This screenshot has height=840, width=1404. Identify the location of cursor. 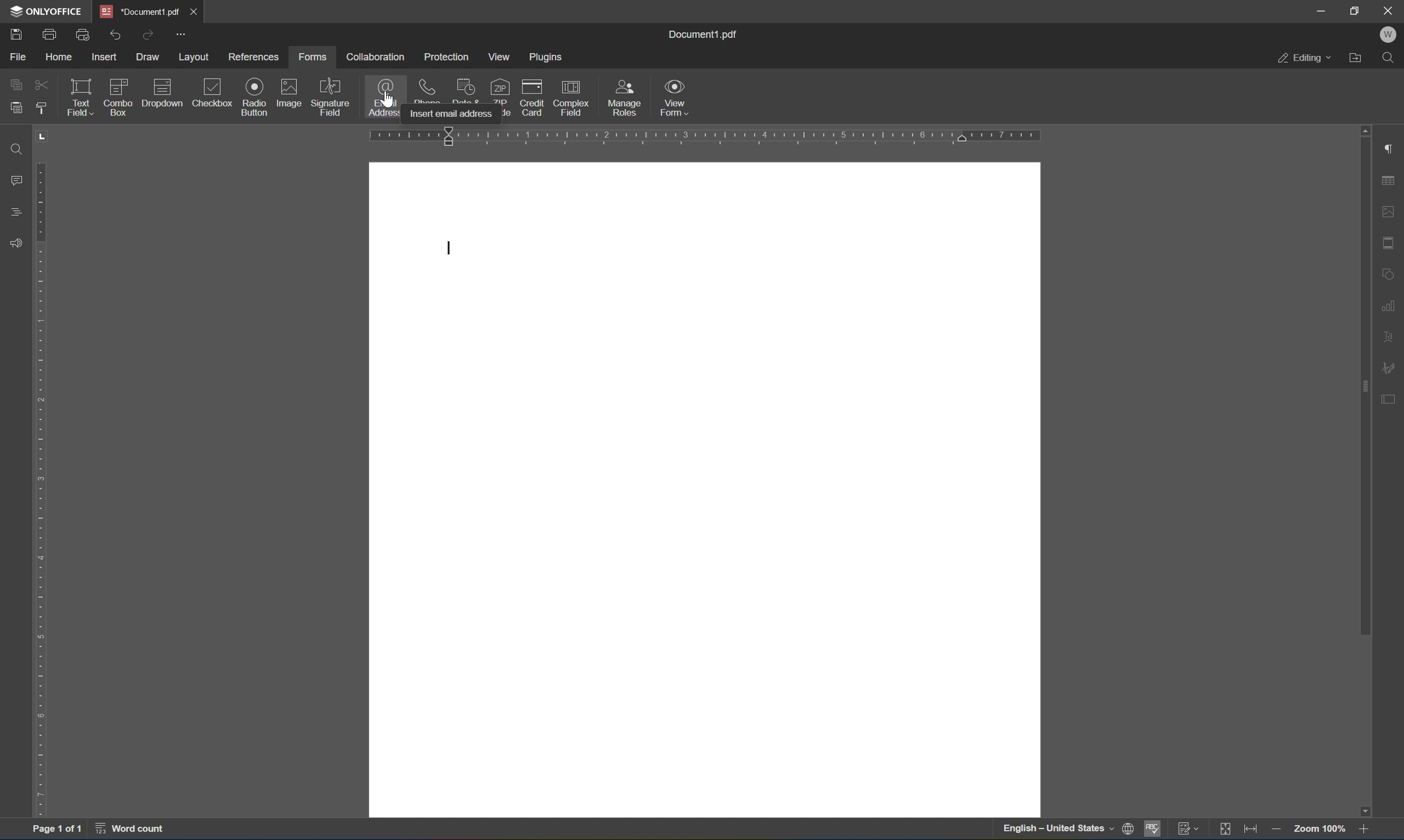
(387, 100).